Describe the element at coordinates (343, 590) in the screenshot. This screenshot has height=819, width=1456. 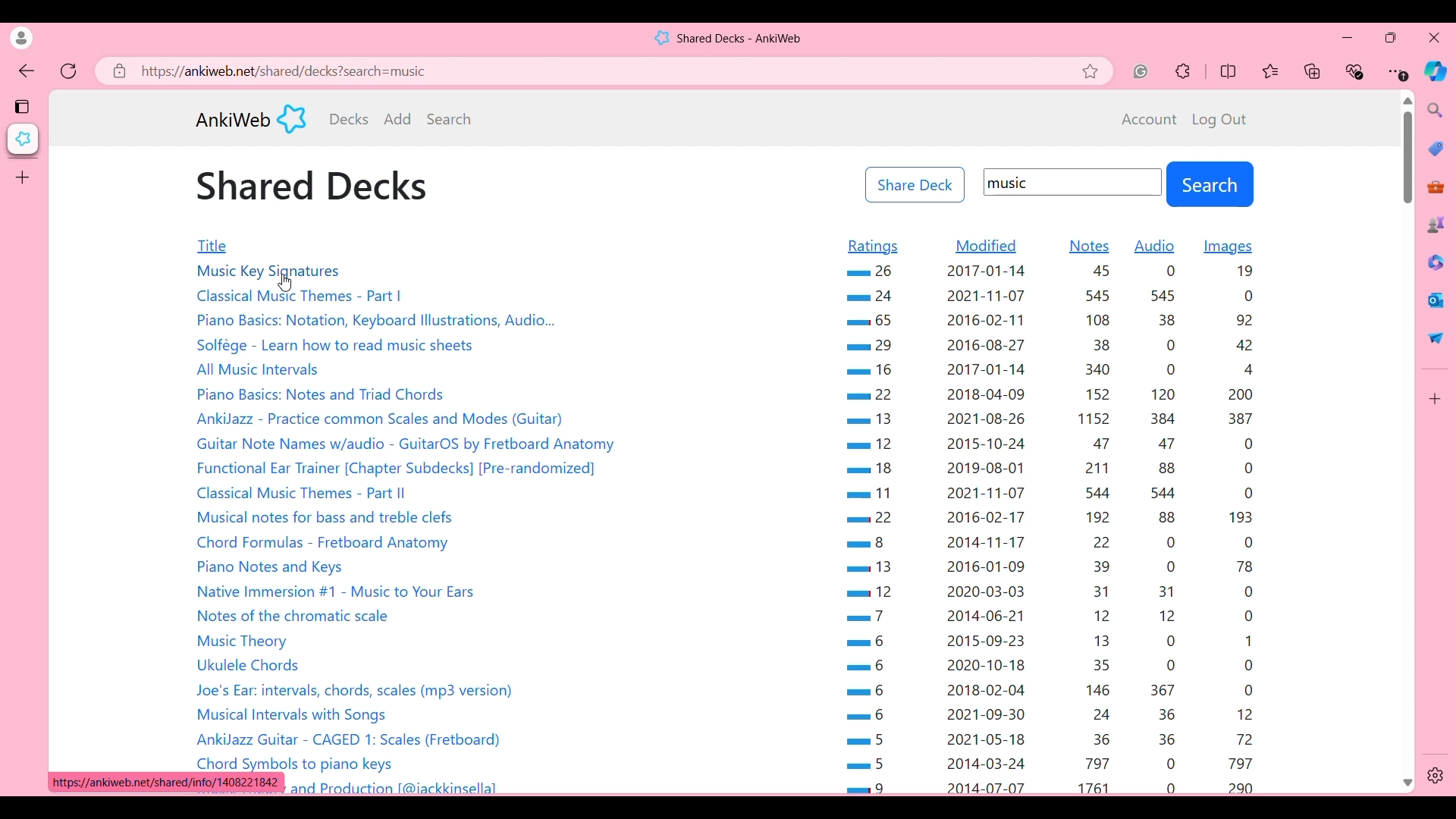
I see `Native Immersion #1 - Music to Your Ears` at that location.